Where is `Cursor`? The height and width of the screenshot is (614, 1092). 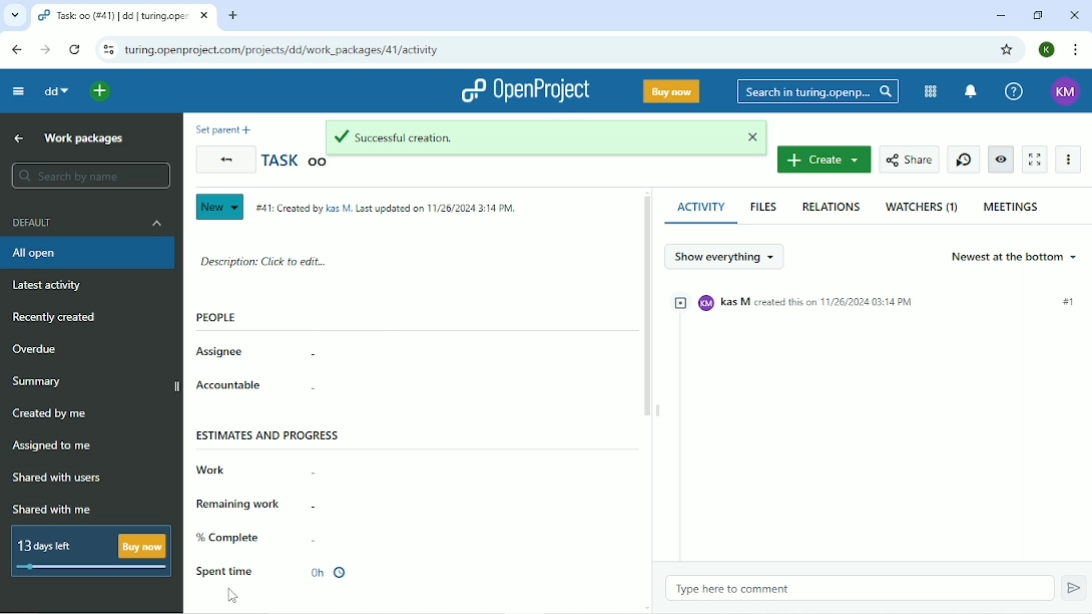 Cursor is located at coordinates (234, 596).